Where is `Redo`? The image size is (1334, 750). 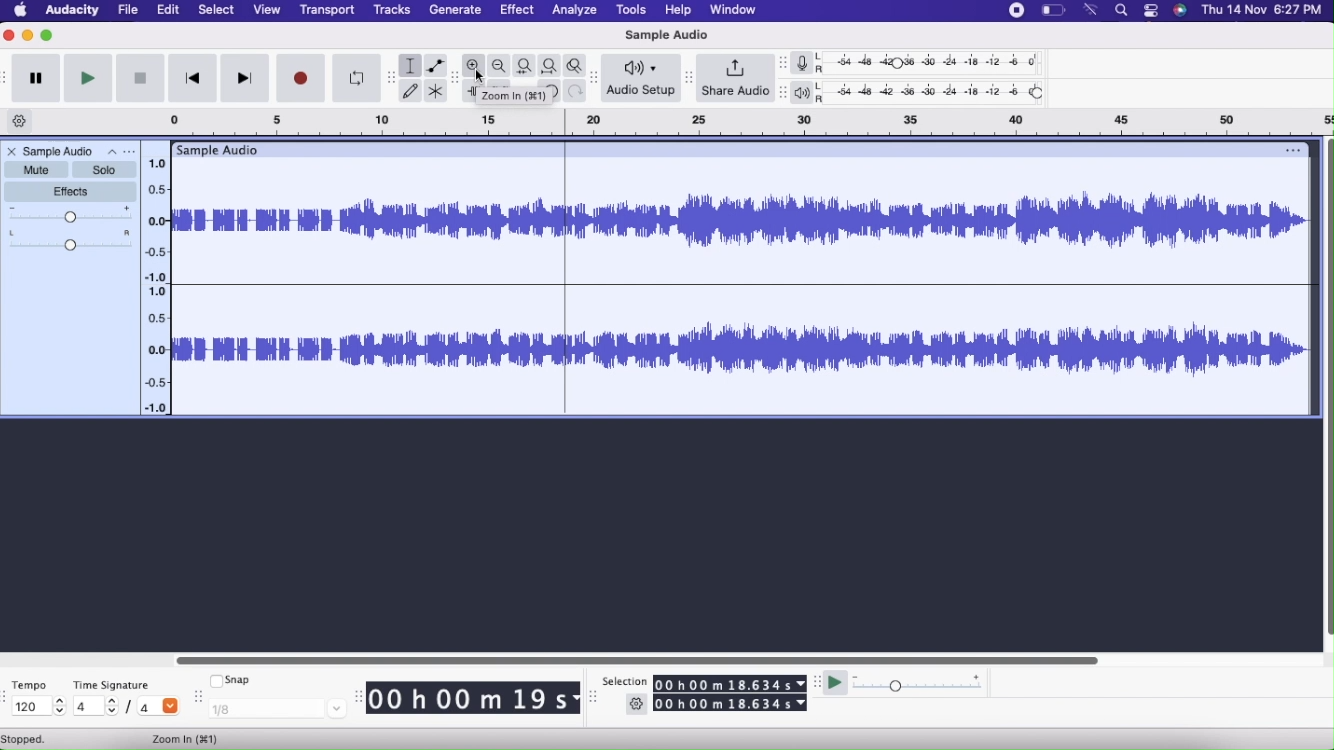 Redo is located at coordinates (576, 91).